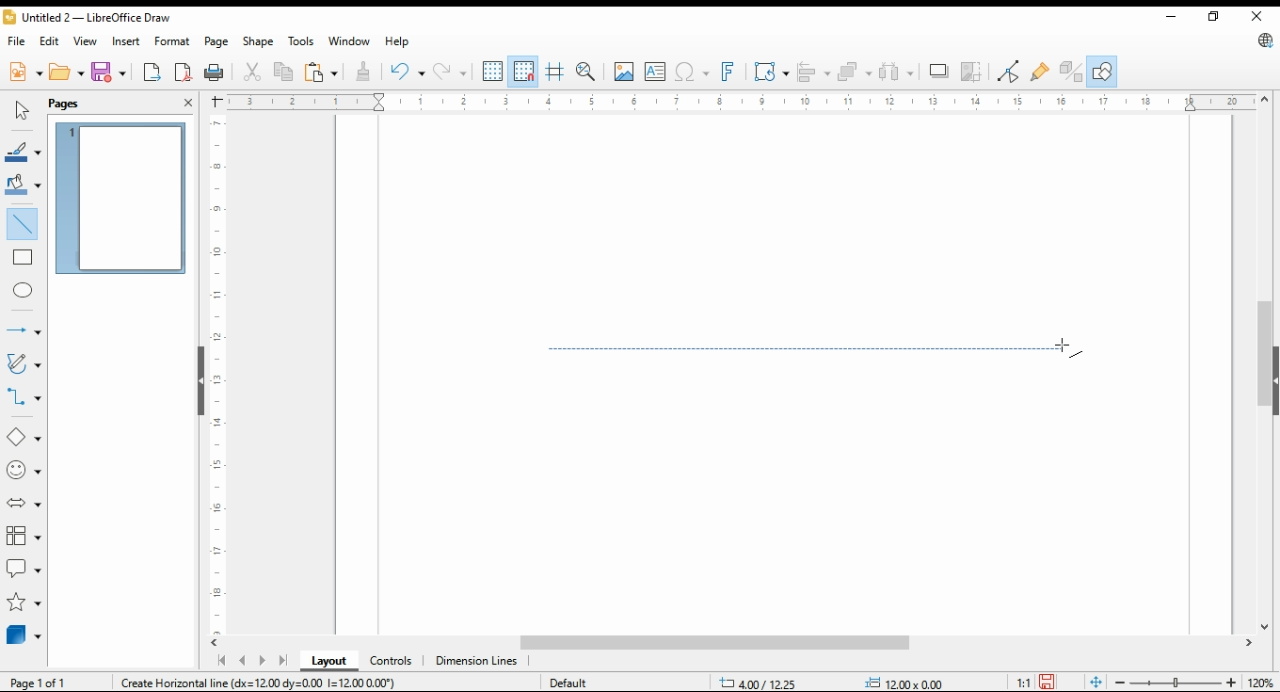 The image size is (1280, 692). I want to click on paste, so click(321, 71).